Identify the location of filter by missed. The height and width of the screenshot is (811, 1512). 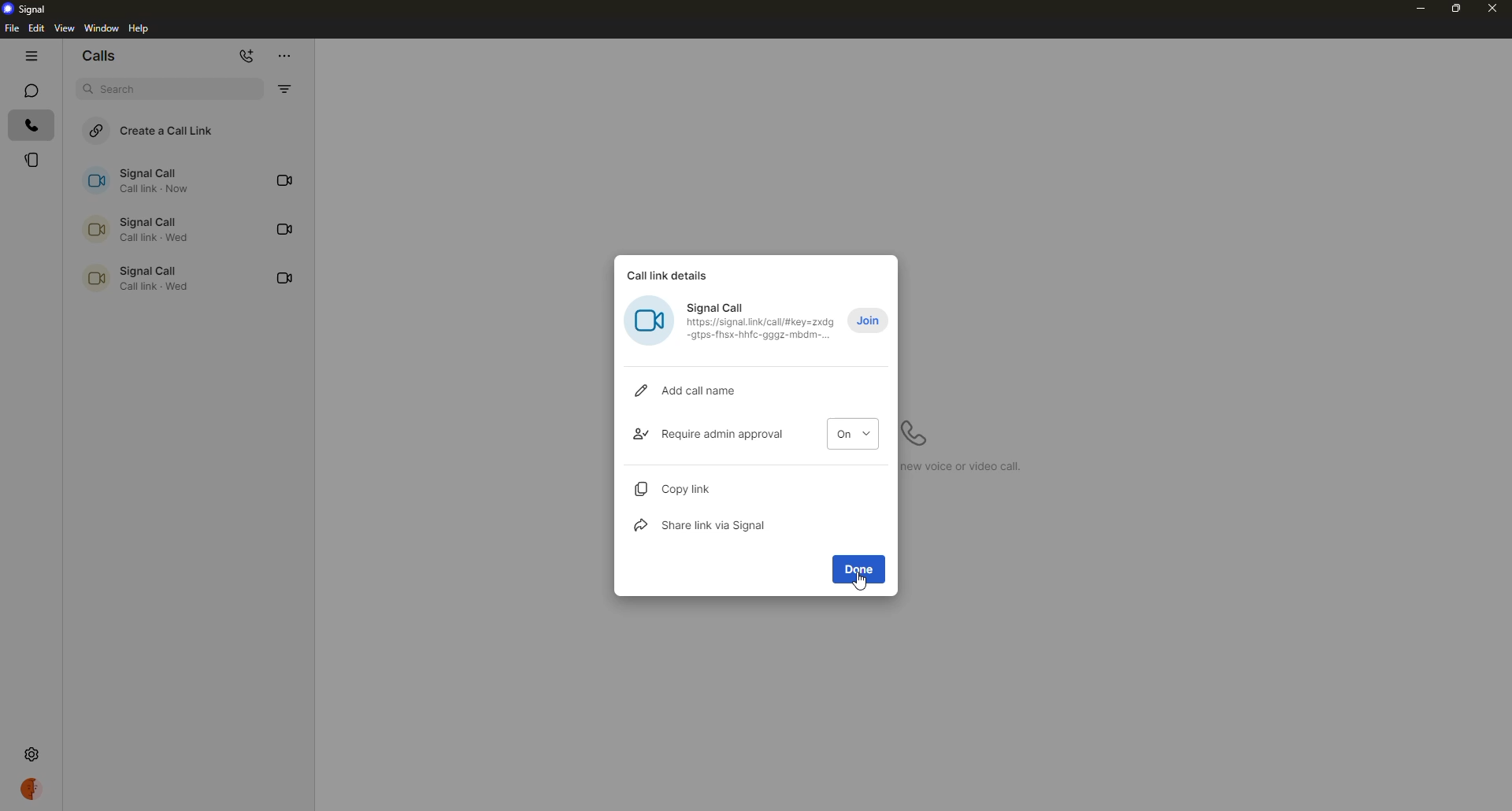
(284, 89).